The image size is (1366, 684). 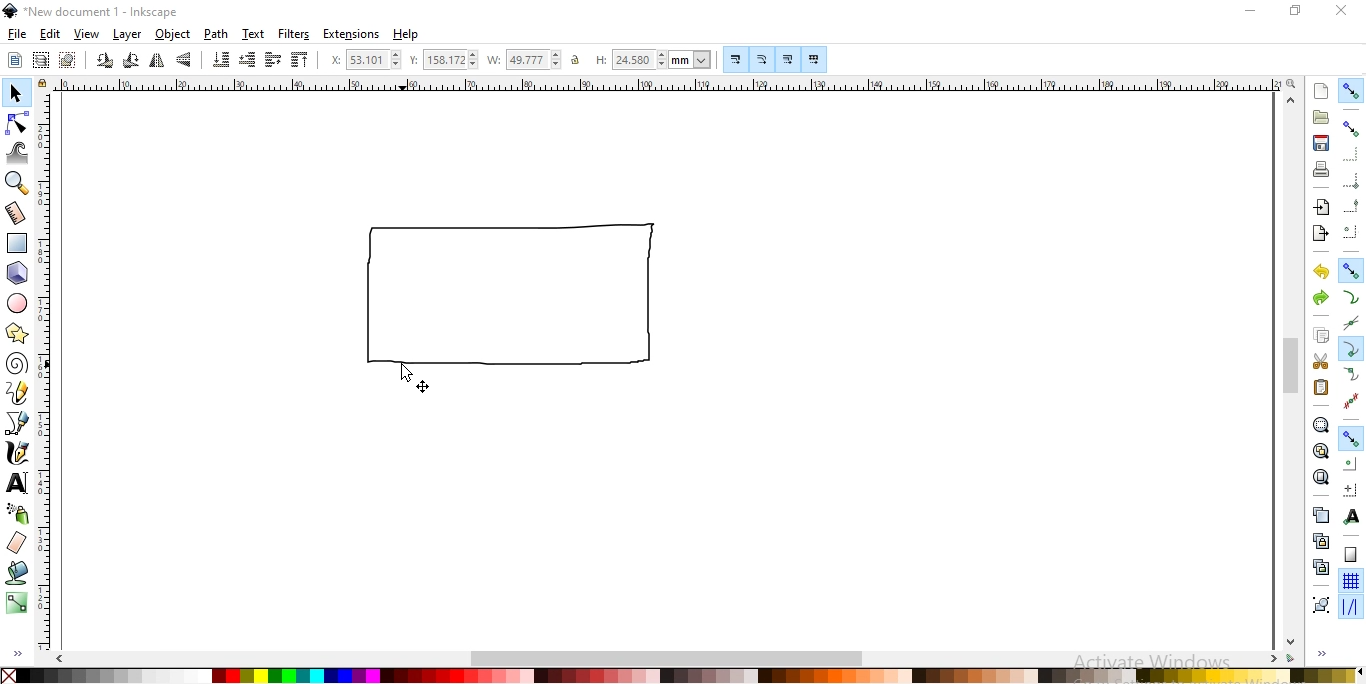 I want to click on erase existing paths, so click(x=19, y=543).